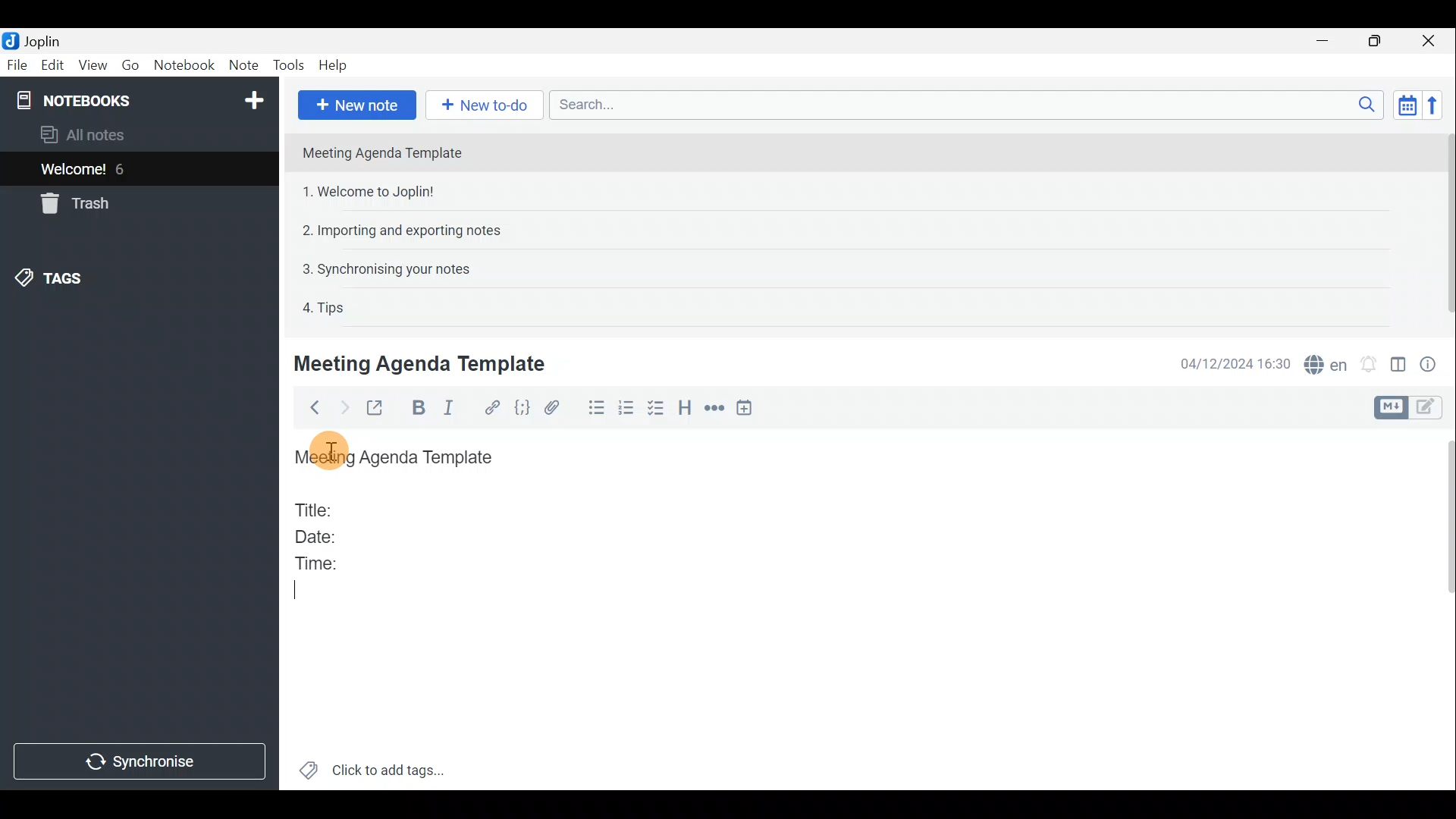 The image size is (1456, 819). I want to click on Bulleted list, so click(595, 408).